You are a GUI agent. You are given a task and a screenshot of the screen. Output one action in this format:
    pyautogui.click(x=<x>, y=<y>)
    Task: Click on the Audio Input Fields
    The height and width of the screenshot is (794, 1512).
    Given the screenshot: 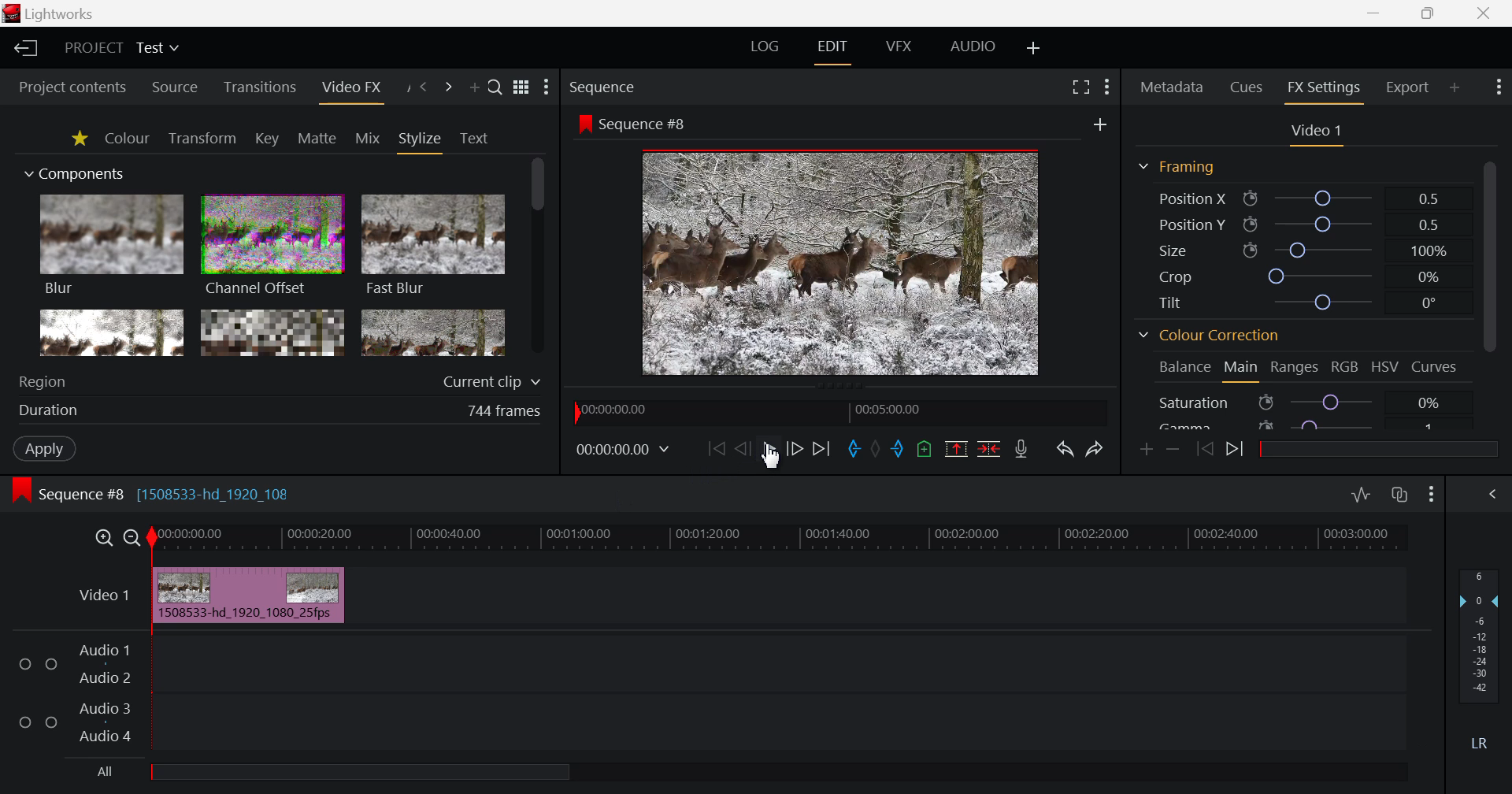 What is the action you would take?
    pyautogui.click(x=703, y=695)
    